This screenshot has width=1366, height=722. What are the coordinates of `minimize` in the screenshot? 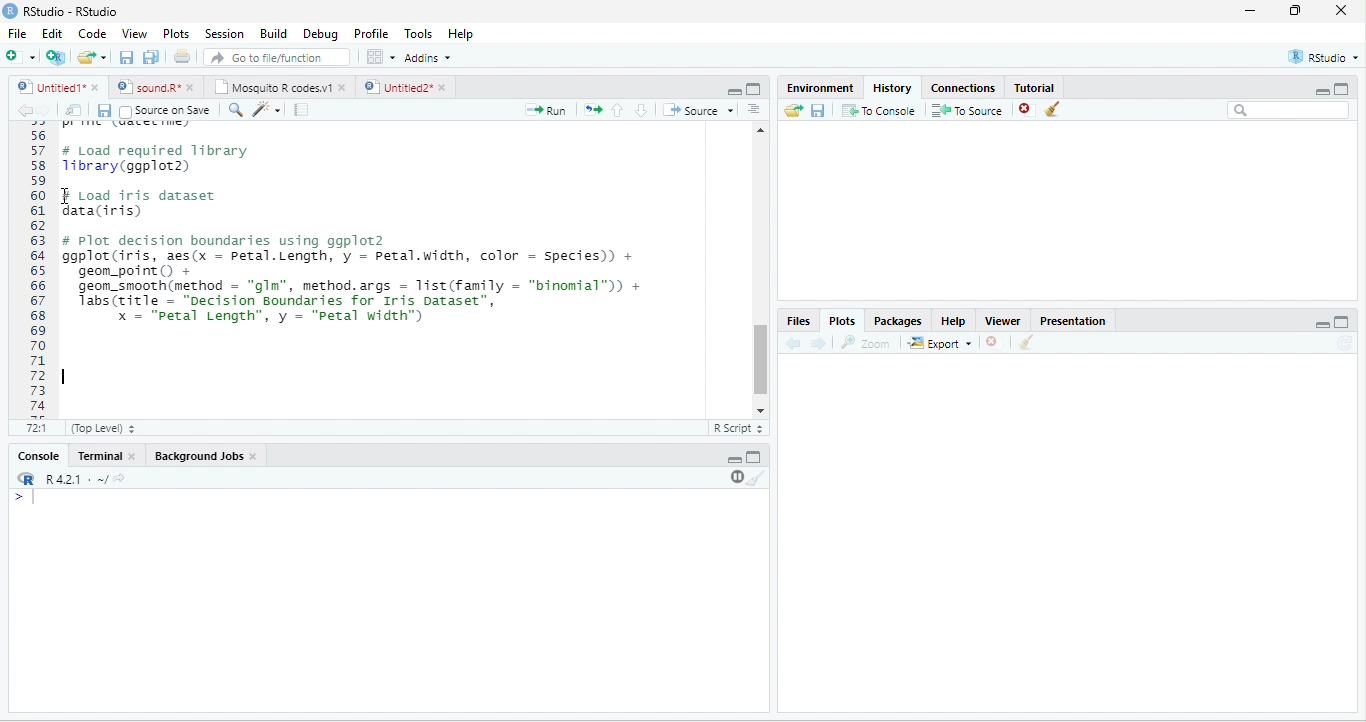 It's located at (1251, 10).